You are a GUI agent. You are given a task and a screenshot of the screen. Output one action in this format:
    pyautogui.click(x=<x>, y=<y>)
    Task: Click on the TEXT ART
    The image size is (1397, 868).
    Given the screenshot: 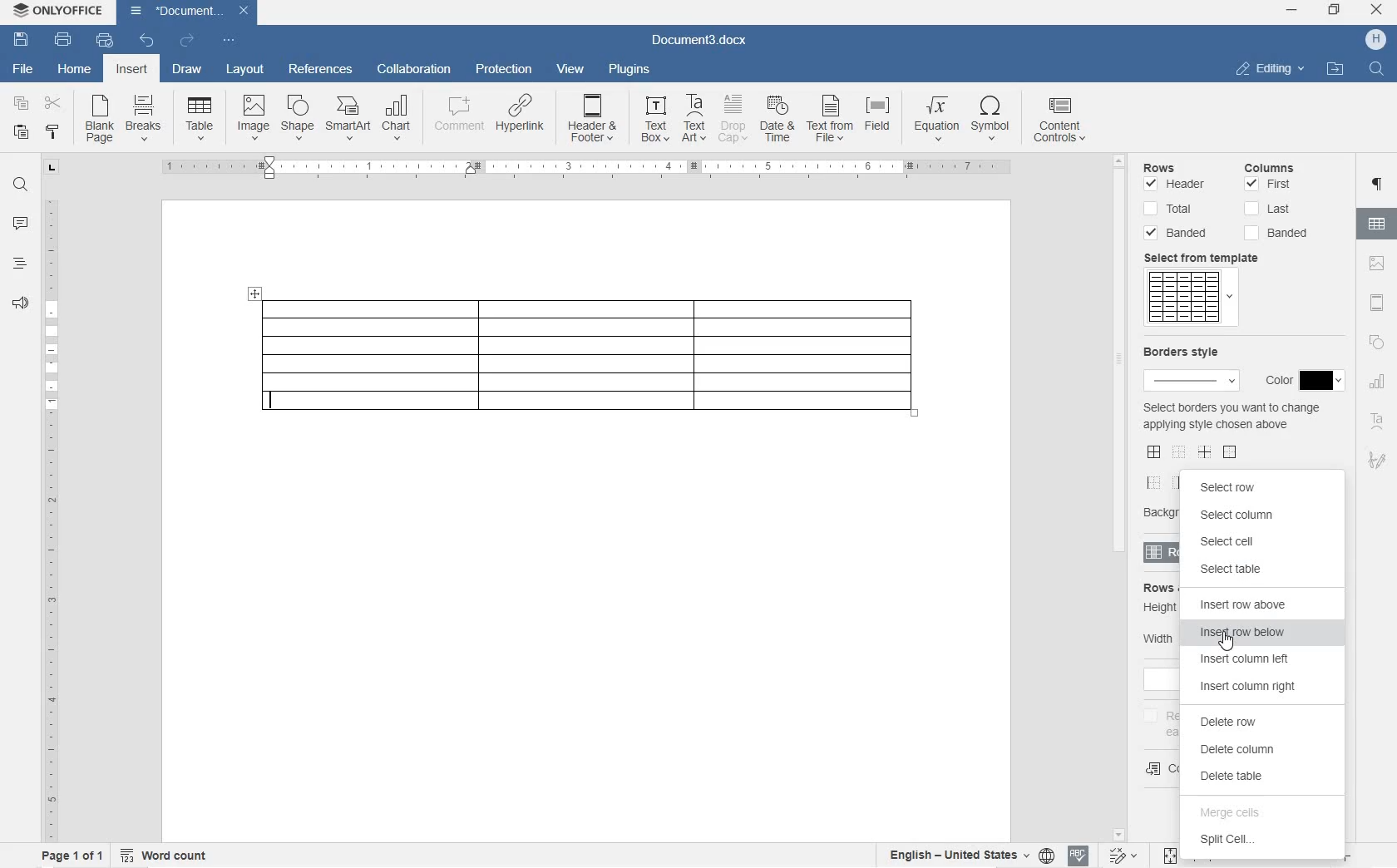 What is the action you would take?
    pyautogui.click(x=693, y=119)
    